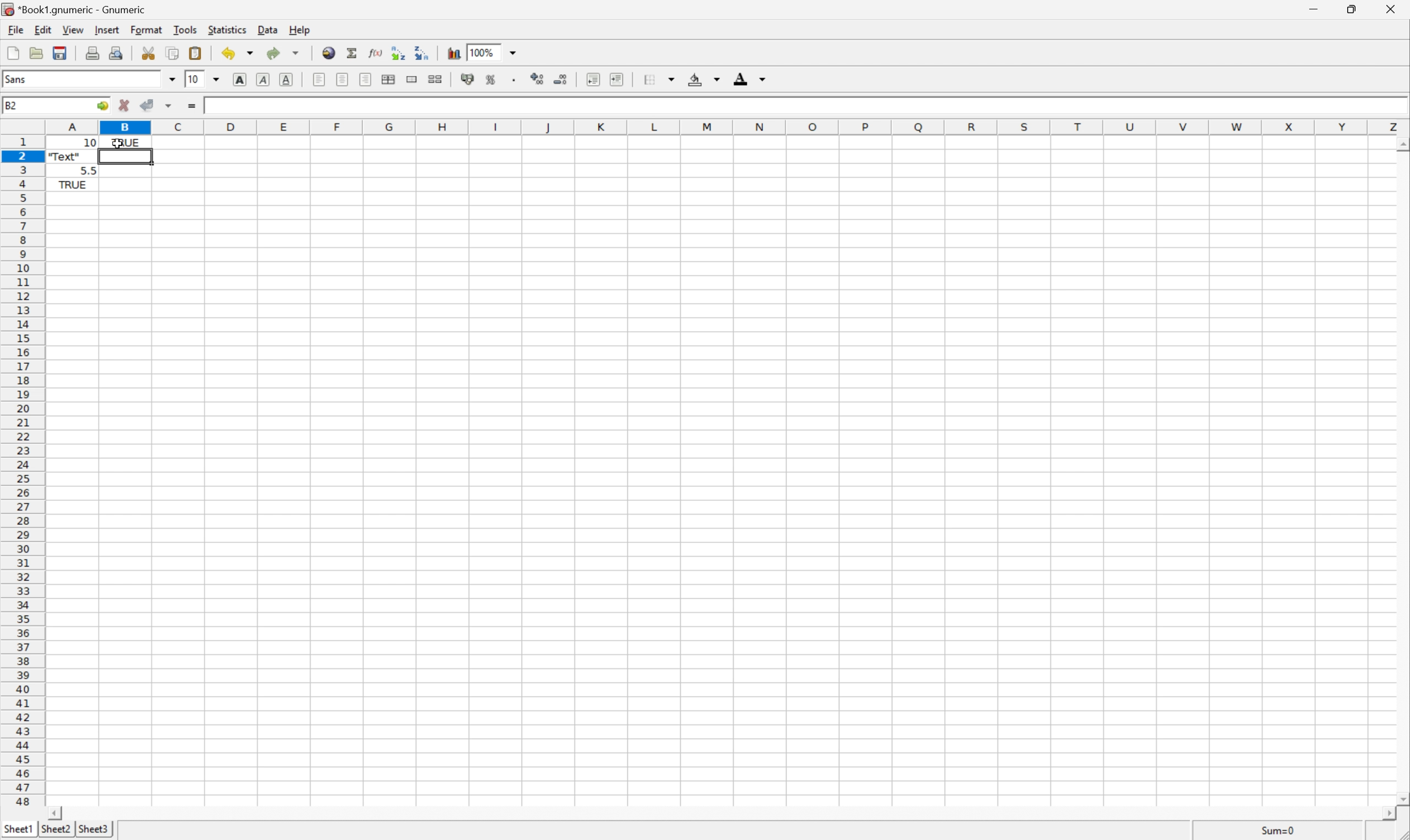 This screenshot has height=840, width=1410. What do you see at coordinates (727, 125) in the screenshot?
I see `Column names` at bounding box center [727, 125].